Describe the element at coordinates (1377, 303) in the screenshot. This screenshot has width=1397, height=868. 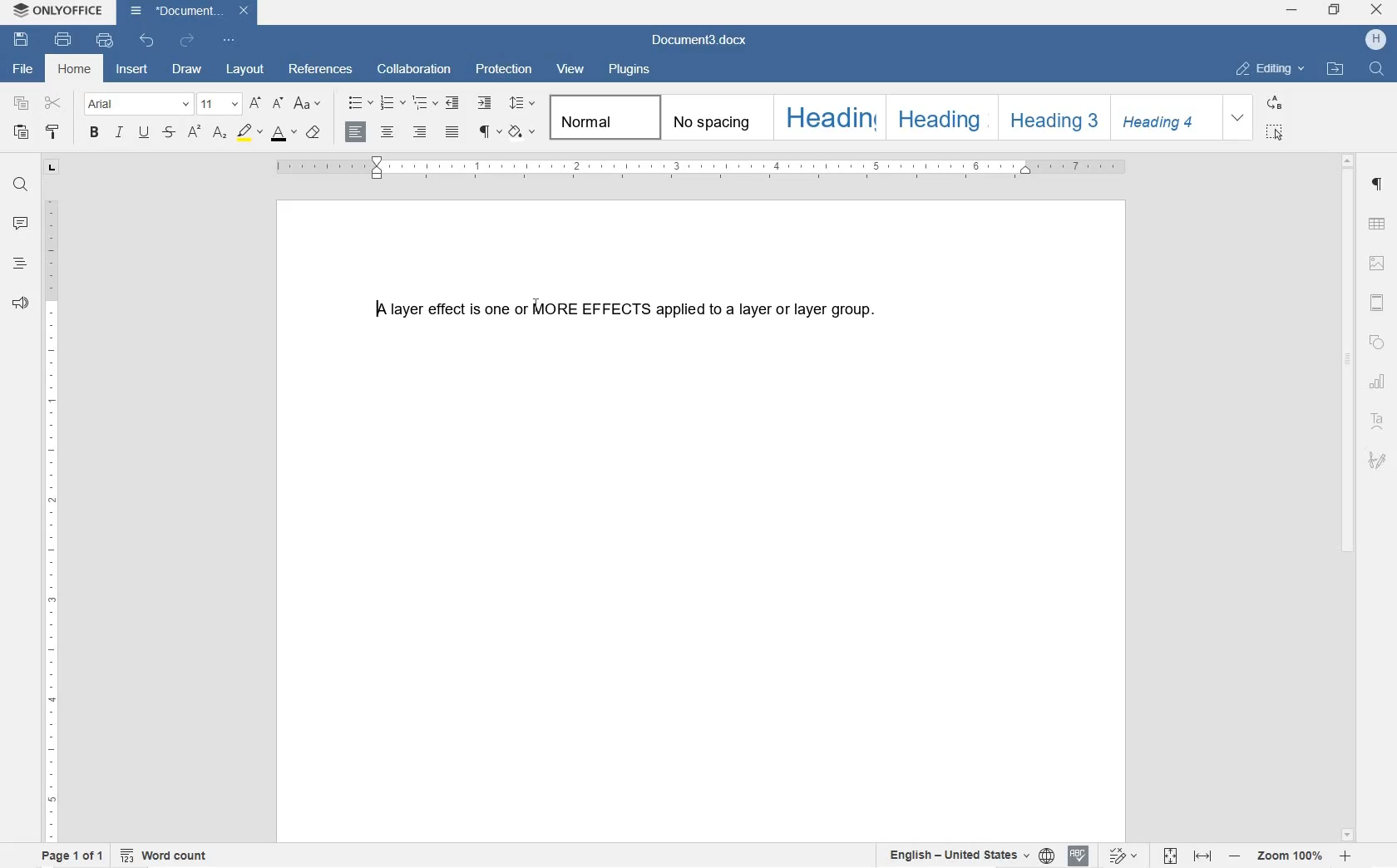
I see `HEADERS & FOOTERS` at that location.